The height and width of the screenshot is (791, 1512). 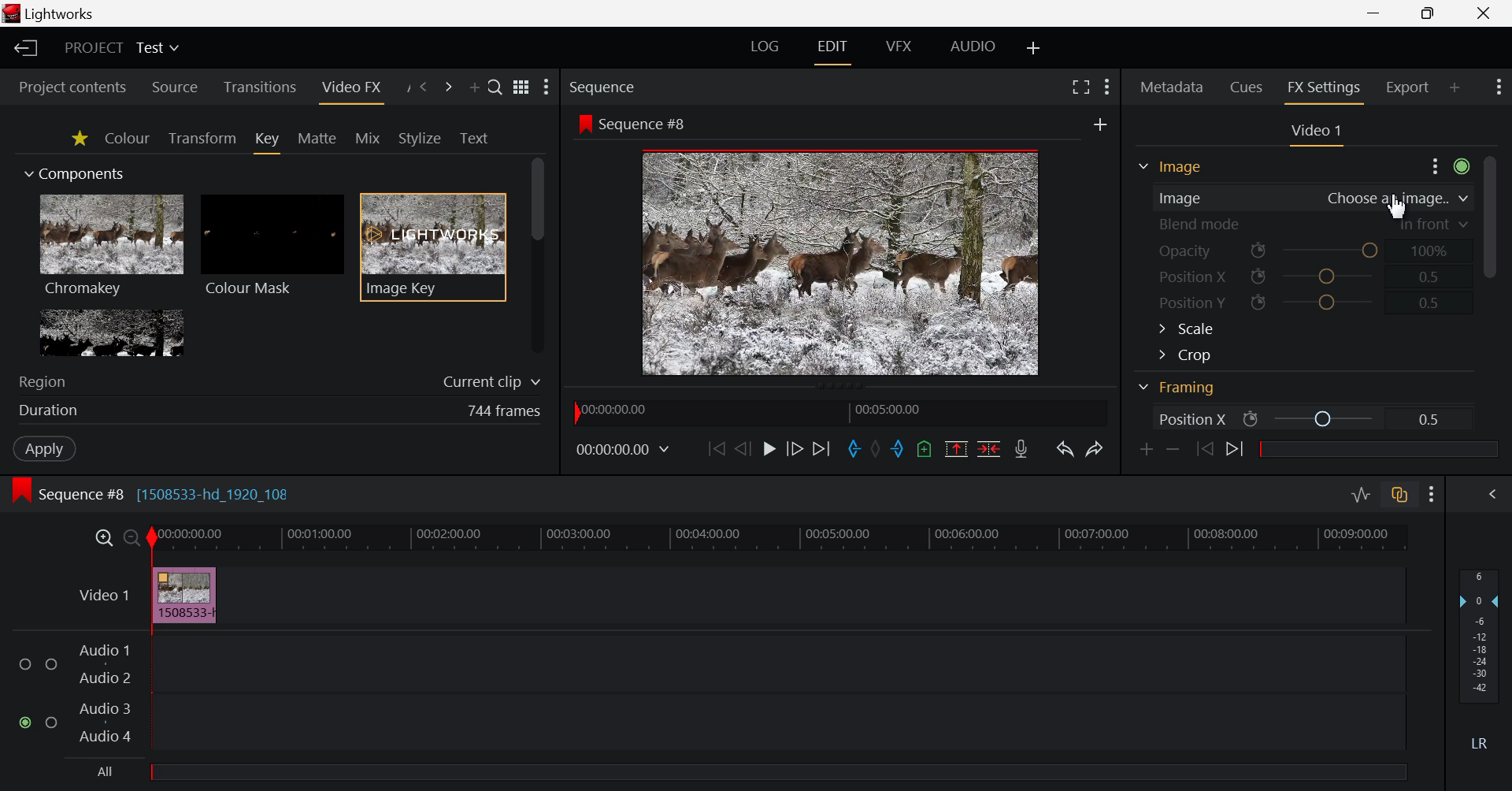 What do you see at coordinates (1455, 87) in the screenshot?
I see `Add Panel` at bounding box center [1455, 87].